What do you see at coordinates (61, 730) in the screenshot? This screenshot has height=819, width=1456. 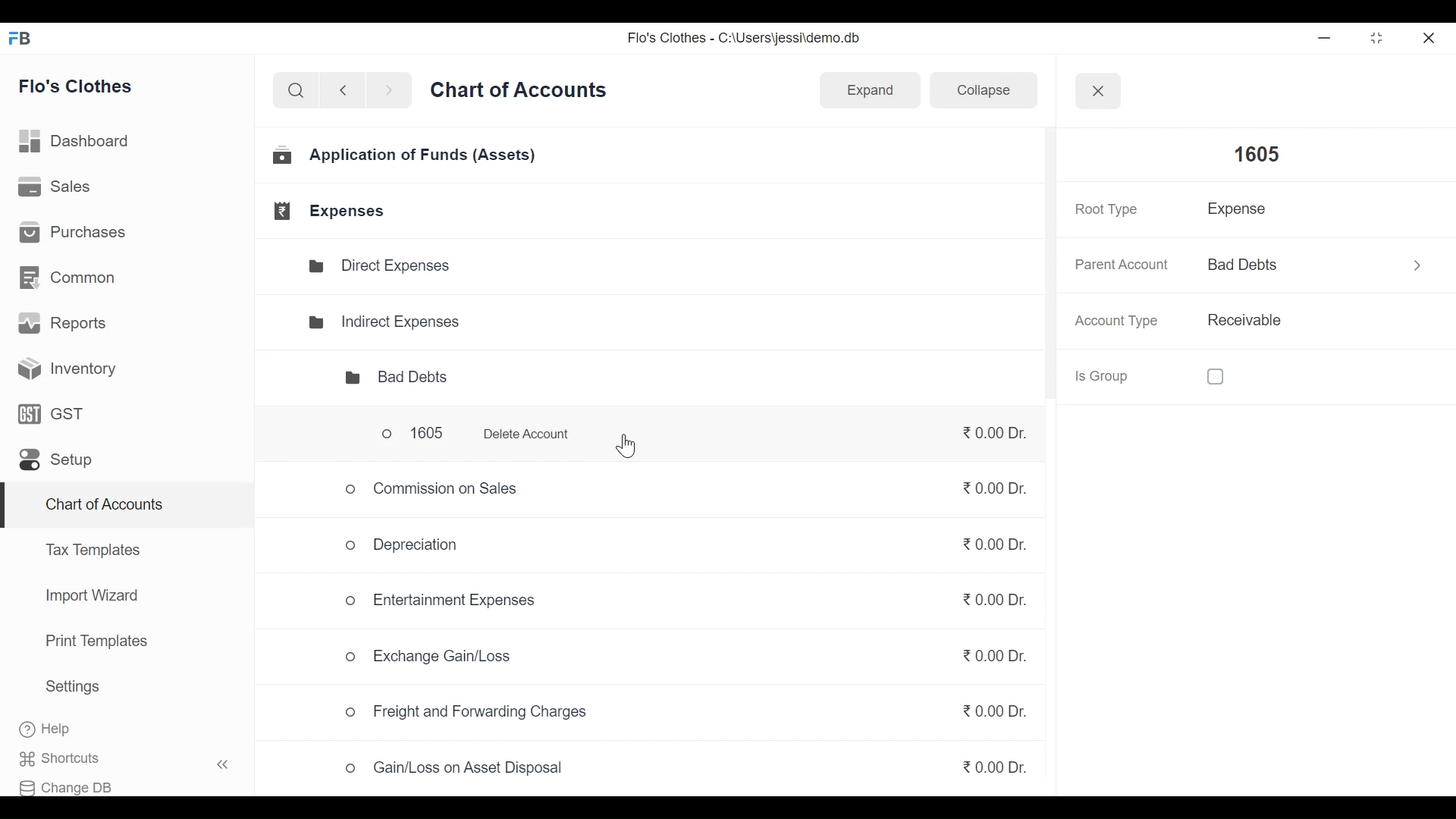 I see `Help` at bounding box center [61, 730].